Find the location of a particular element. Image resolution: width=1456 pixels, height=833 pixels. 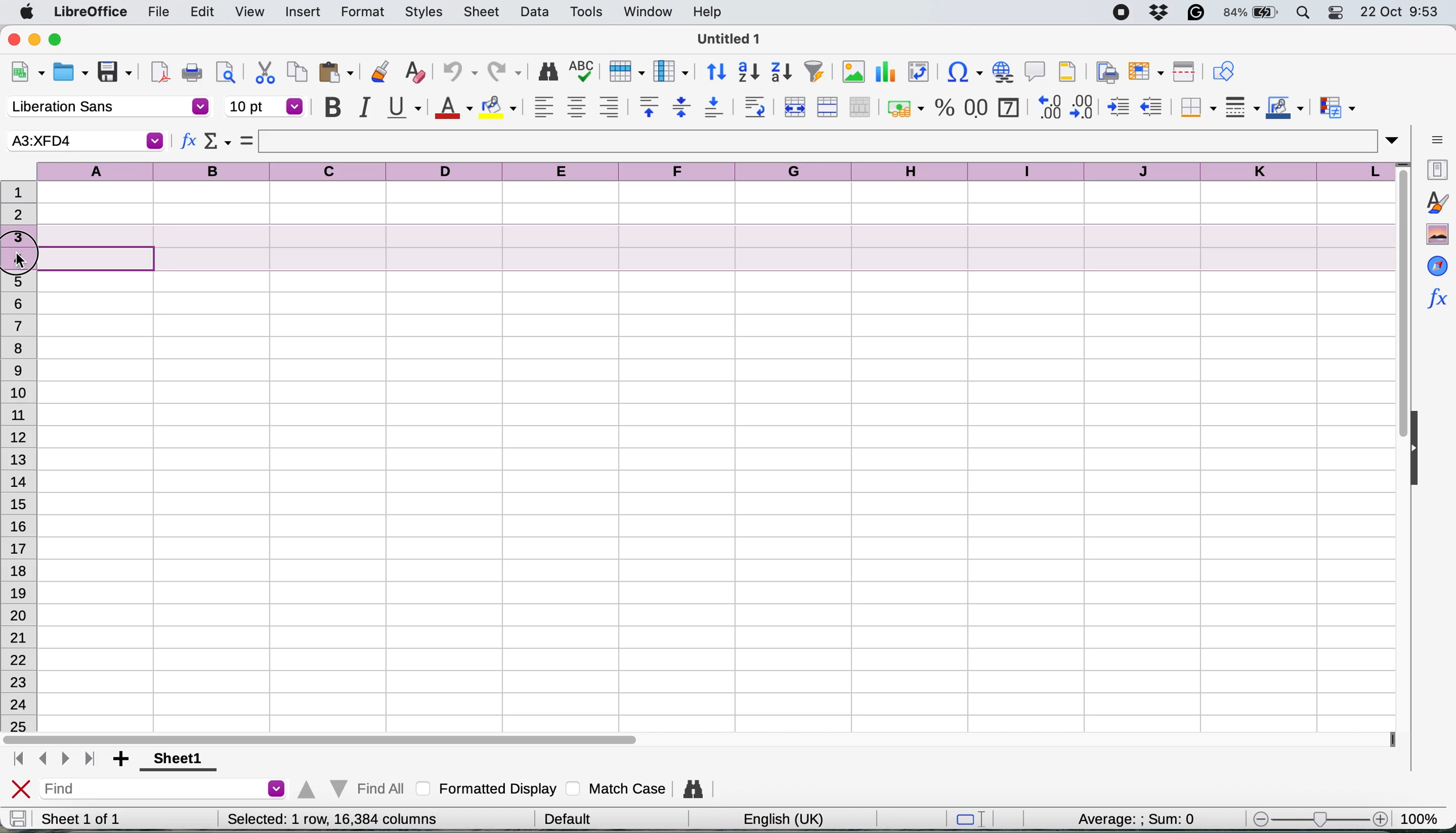

add sheet is located at coordinates (123, 760).